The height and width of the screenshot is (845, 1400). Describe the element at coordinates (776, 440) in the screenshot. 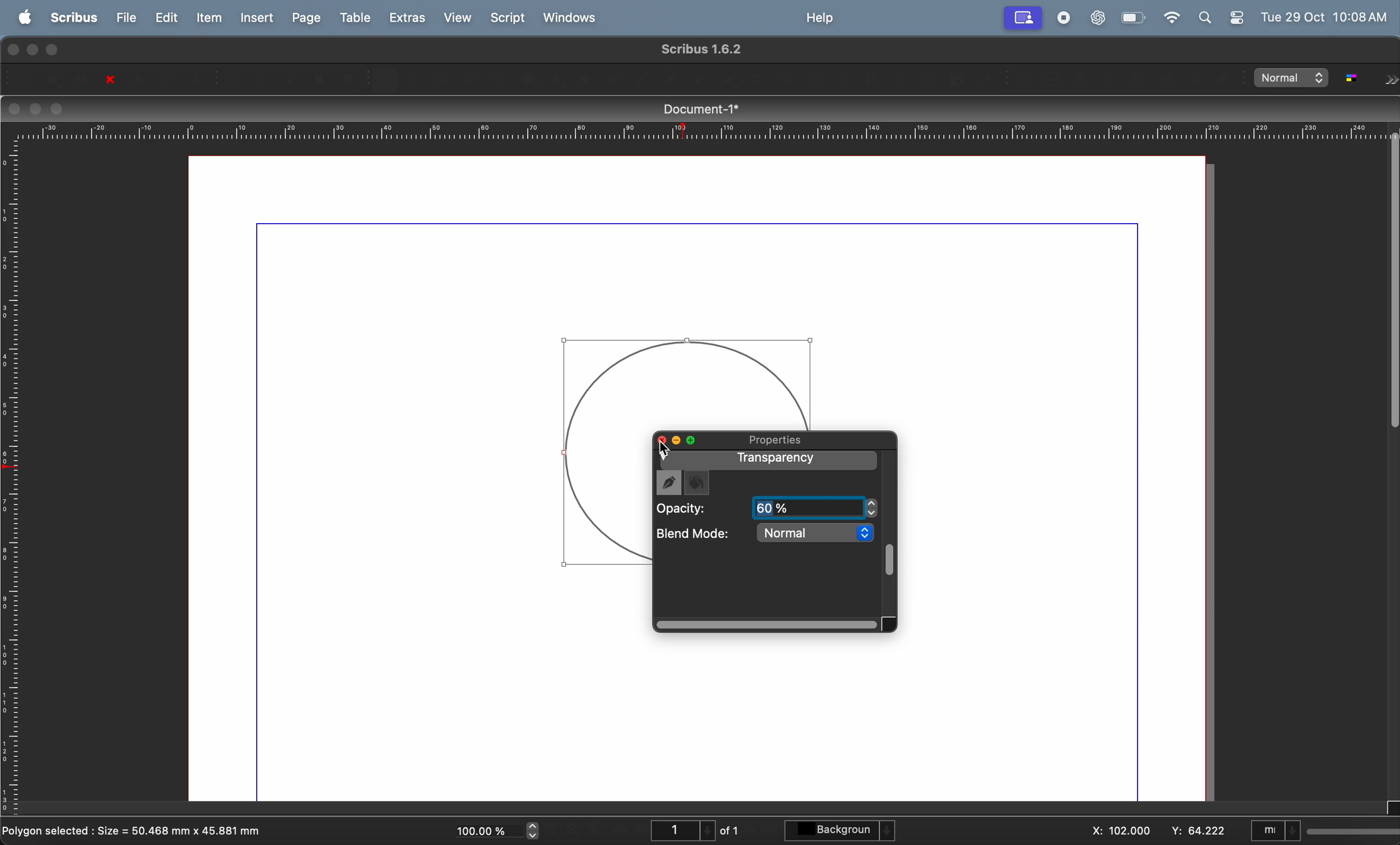

I see `properties` at that location.